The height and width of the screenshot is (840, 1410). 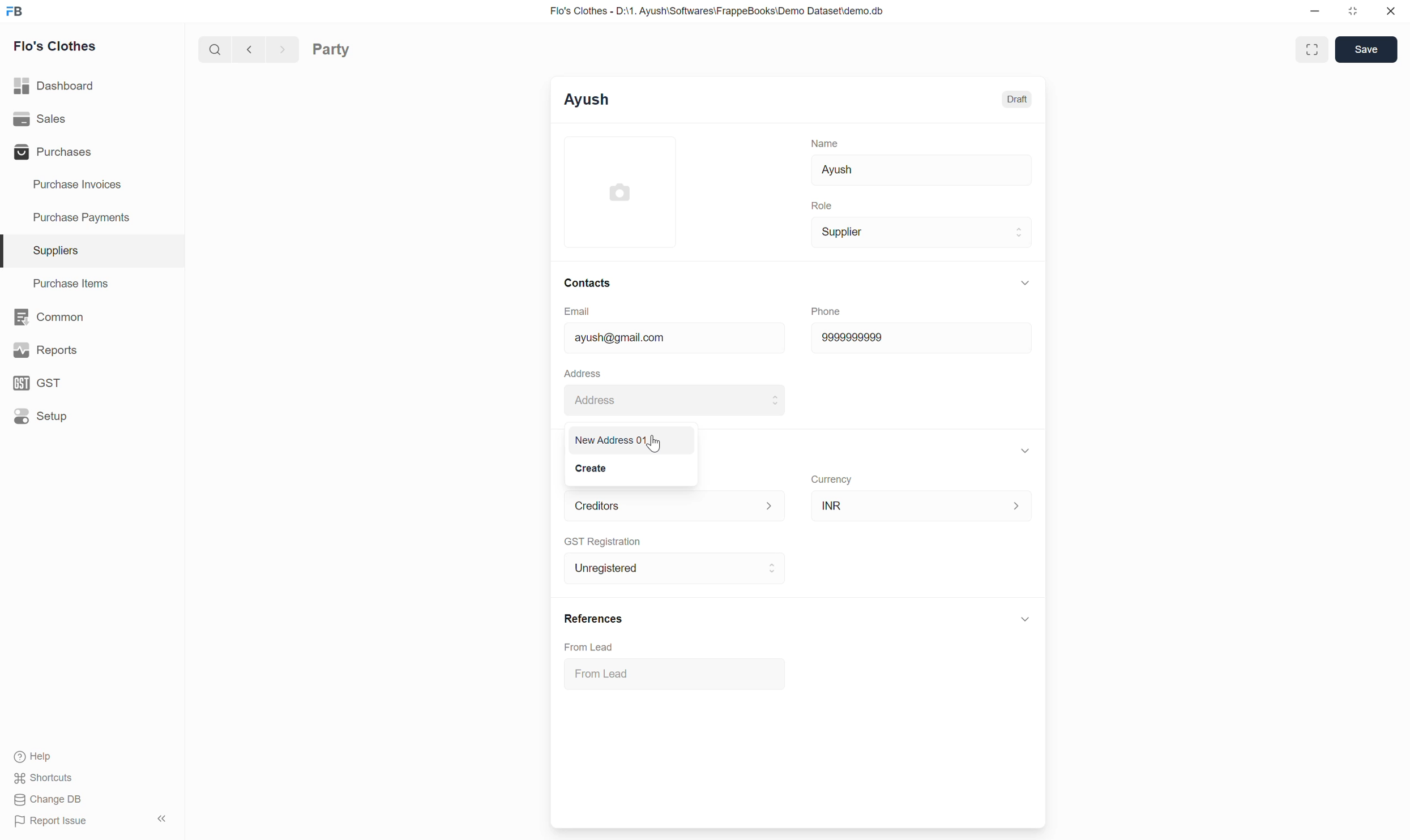 What do you see at coordinates (1025, 451) in the screenshot?
I see `Collapse` at bounding box center [1025, 451].